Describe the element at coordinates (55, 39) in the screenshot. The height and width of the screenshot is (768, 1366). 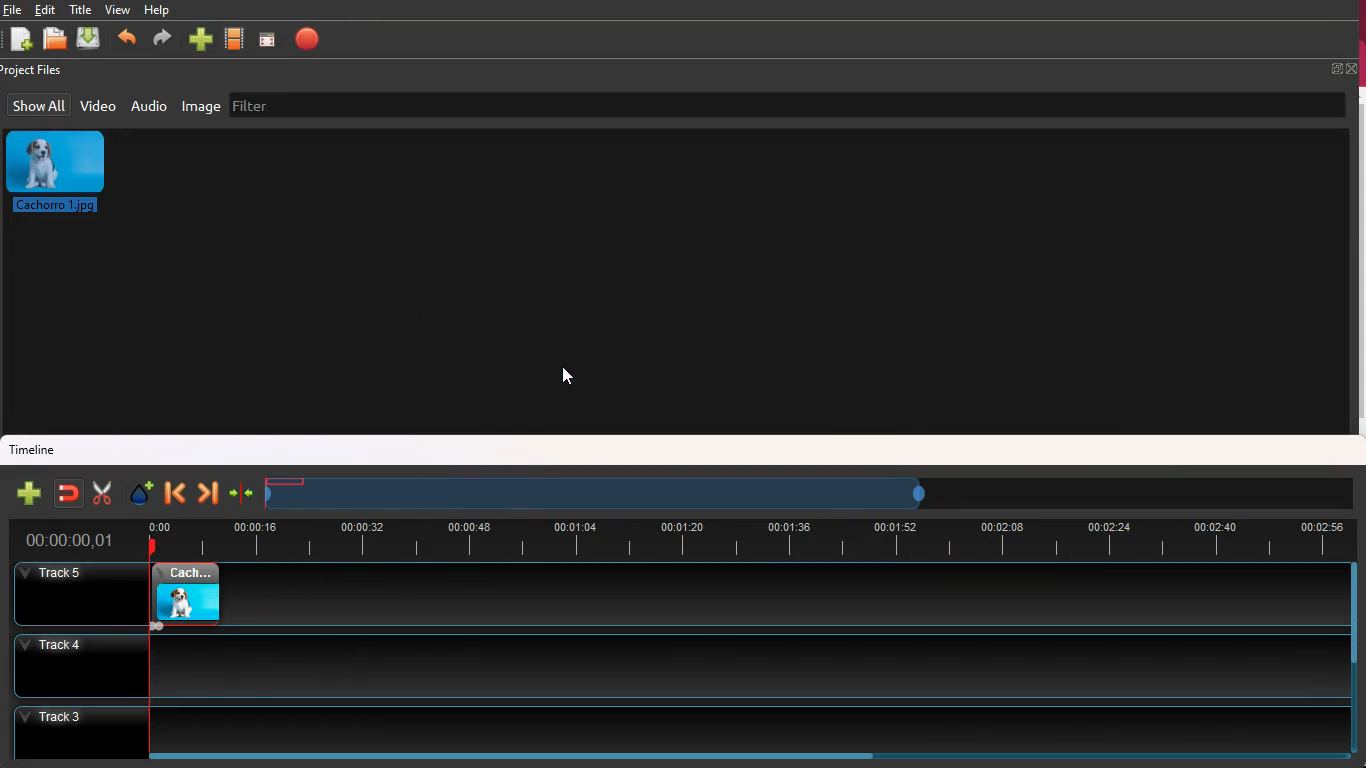
I see `open files` at that location.